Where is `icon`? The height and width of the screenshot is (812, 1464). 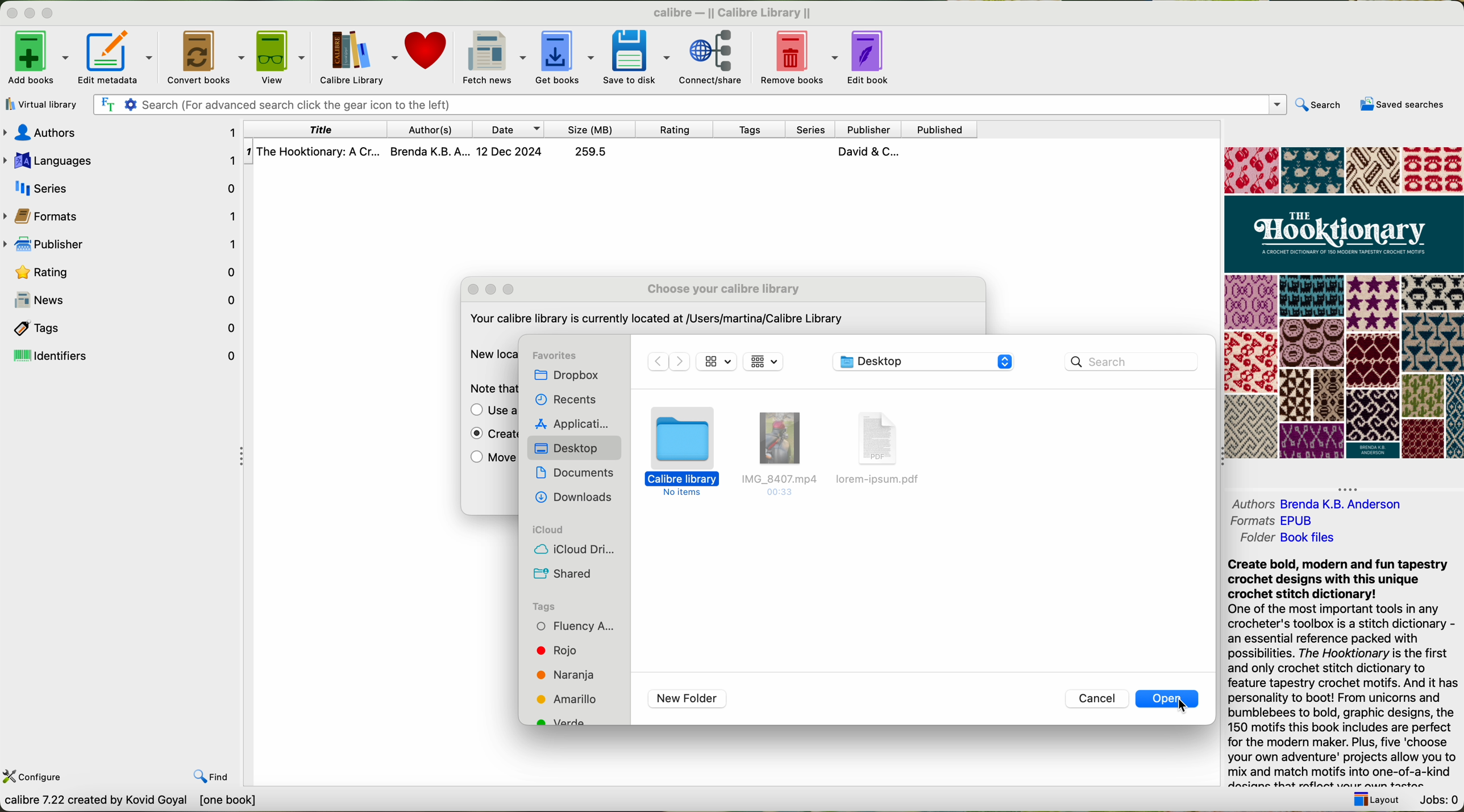 icon is located at coordinates (762, 361).